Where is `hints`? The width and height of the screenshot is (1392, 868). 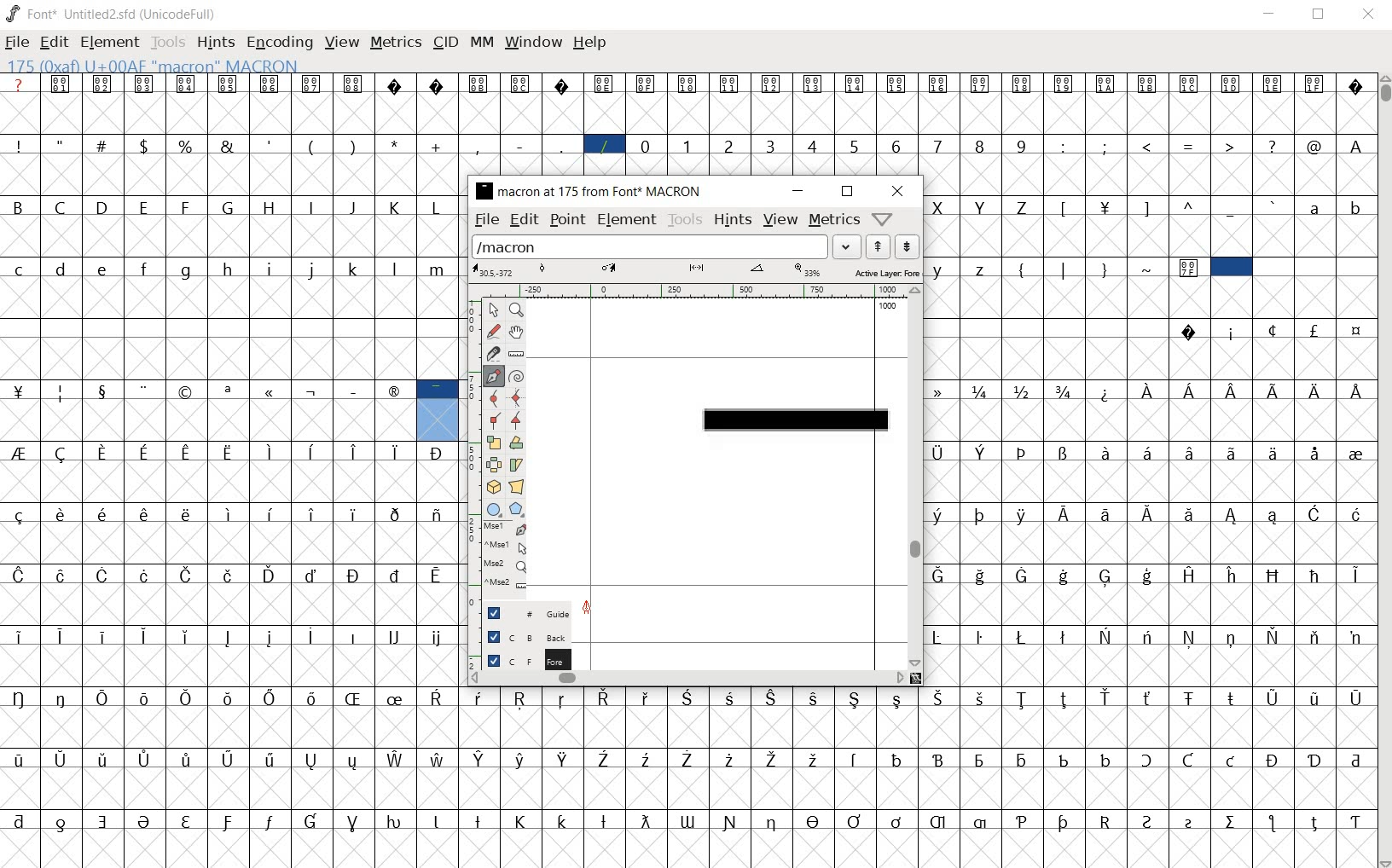
hints is located at coordinates (216, 43).